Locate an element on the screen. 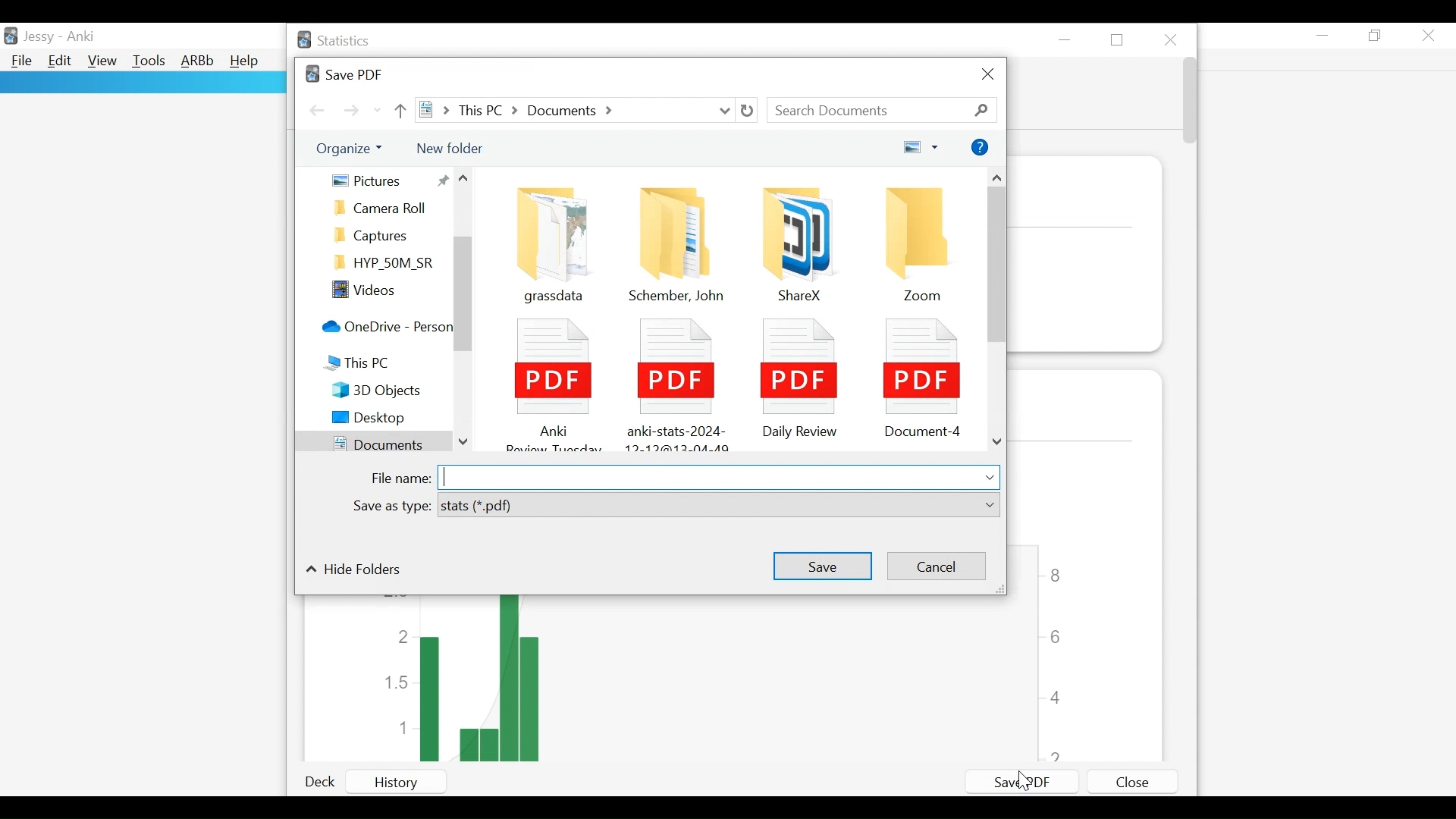  File is located at coordinates (20, 61).